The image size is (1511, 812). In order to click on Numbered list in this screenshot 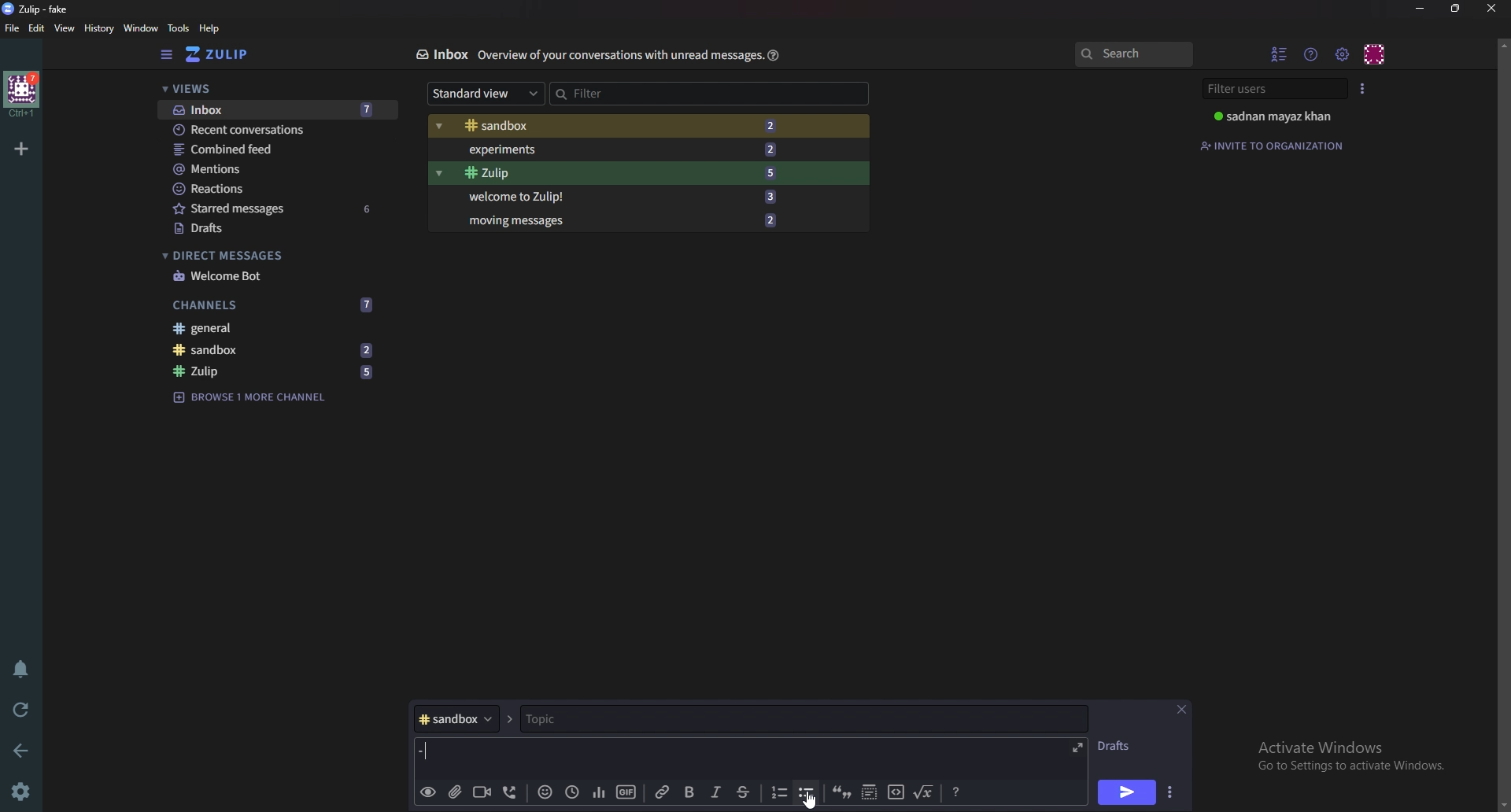, I will do `click(778, 792)`.